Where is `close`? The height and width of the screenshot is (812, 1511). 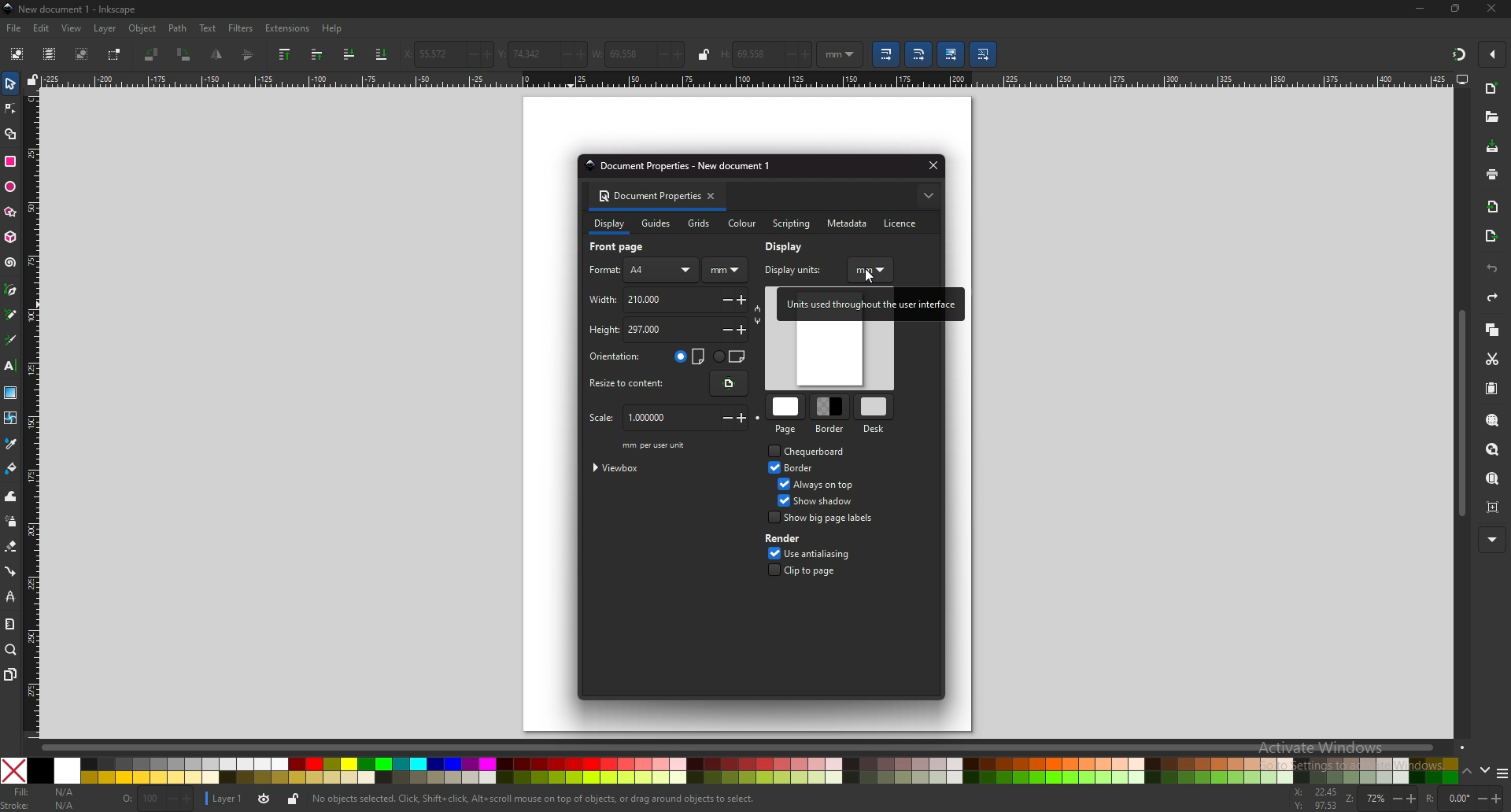
close is located at coordinates (1491, 9).